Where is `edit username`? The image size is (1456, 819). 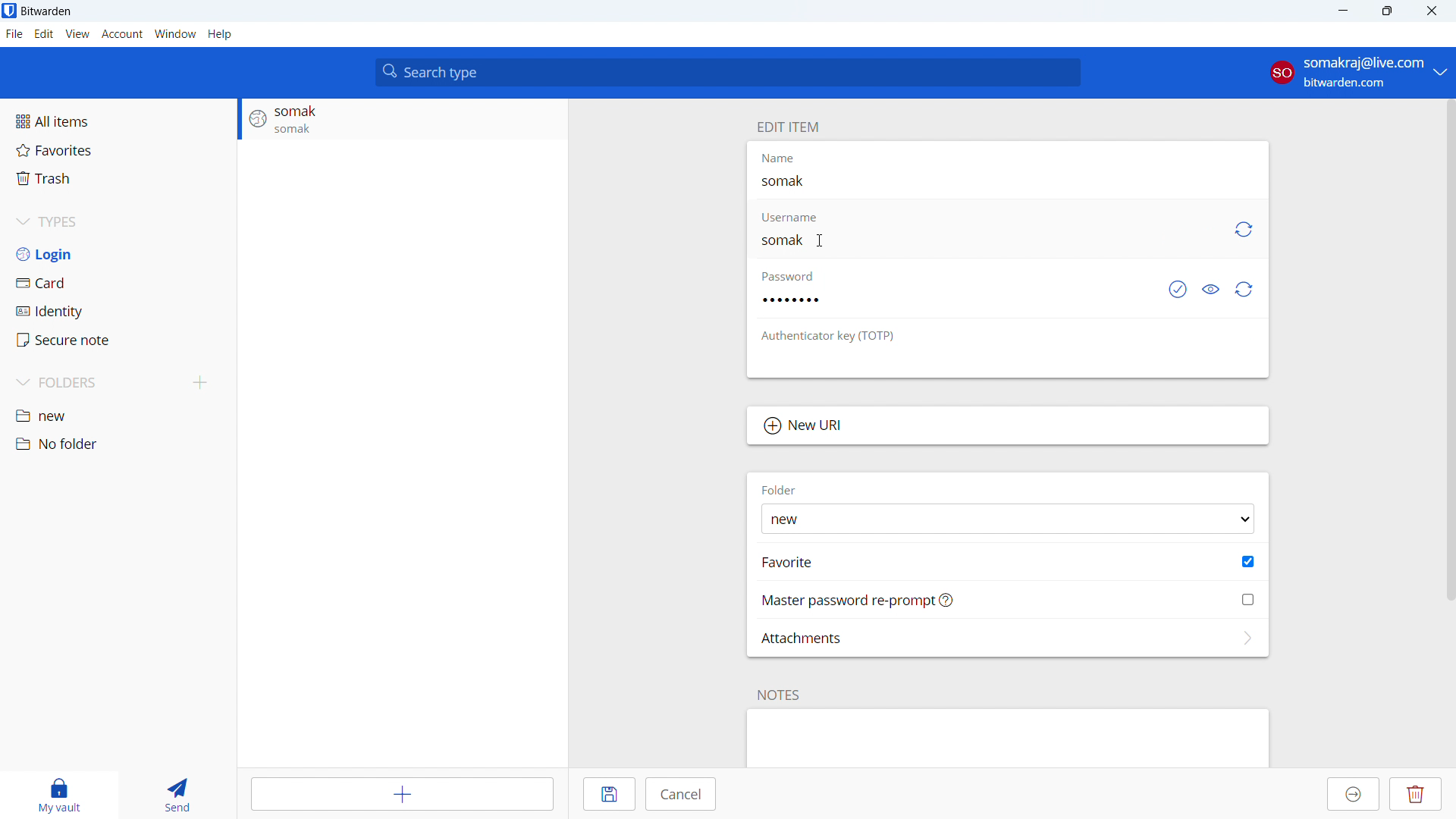
edit username is located at coordinates (986, 240).